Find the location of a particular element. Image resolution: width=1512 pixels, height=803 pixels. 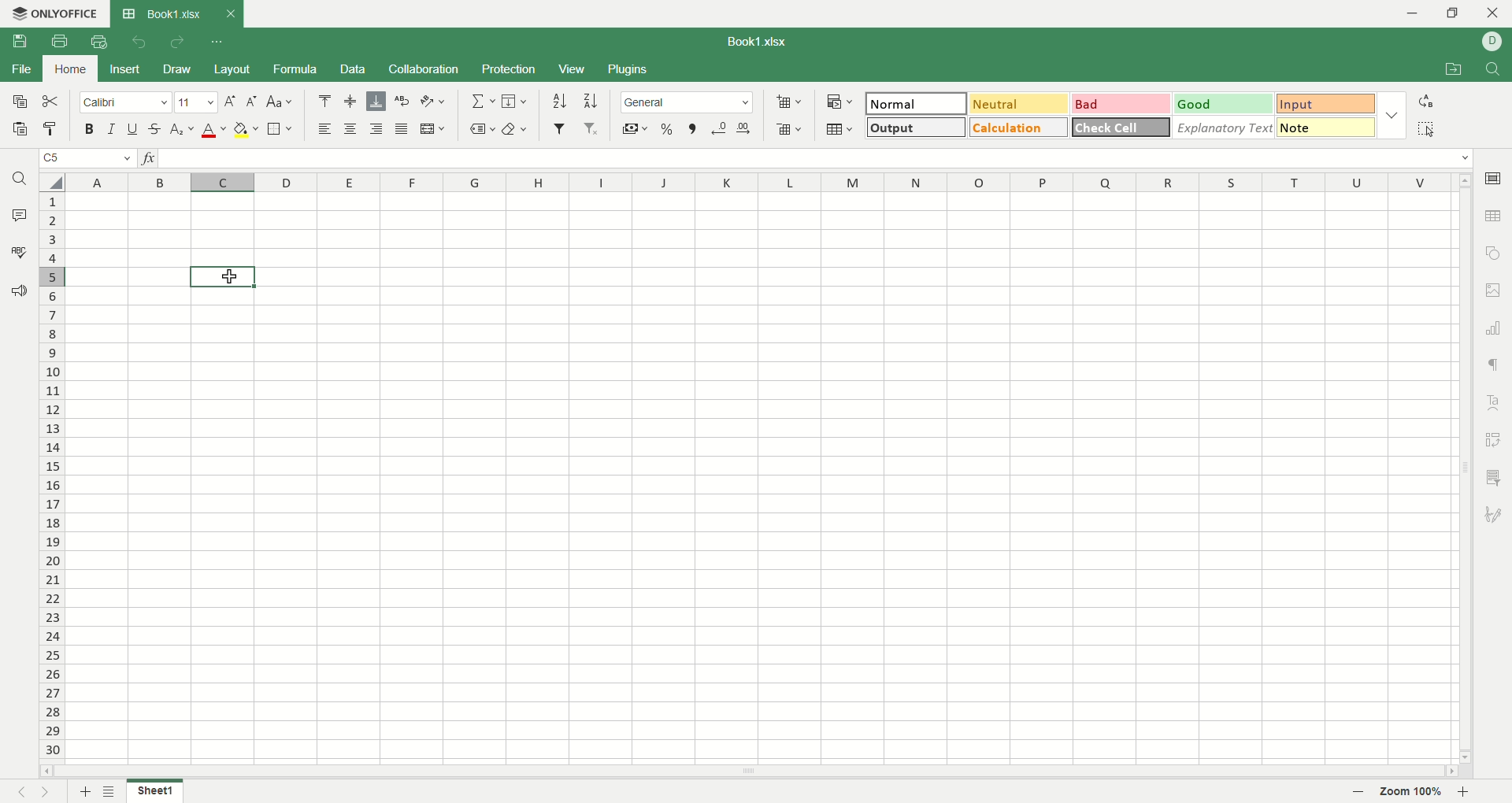

align bottom is located at coordinates (379, 101).